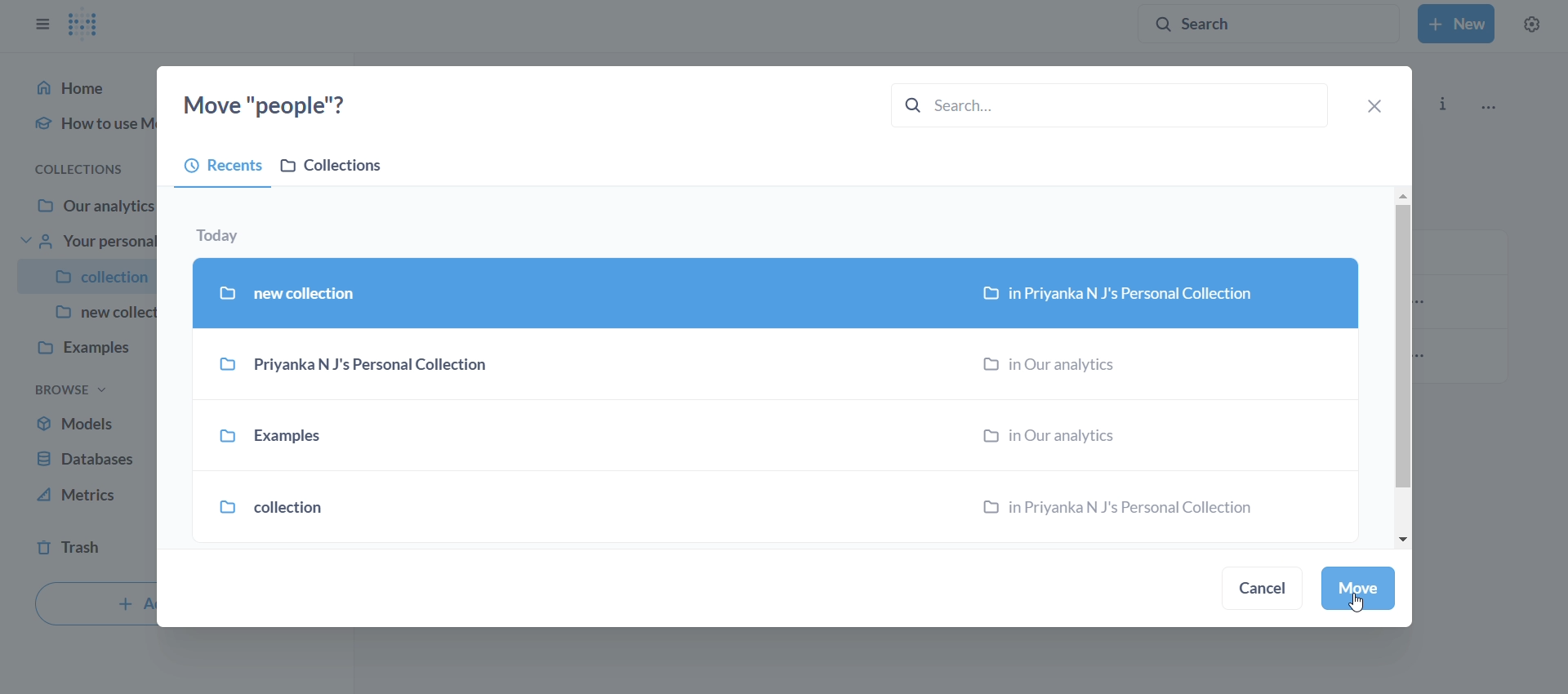  Describe the element at coordinates (776, 291) in the screenshot. I see `selected new collection` at that location.